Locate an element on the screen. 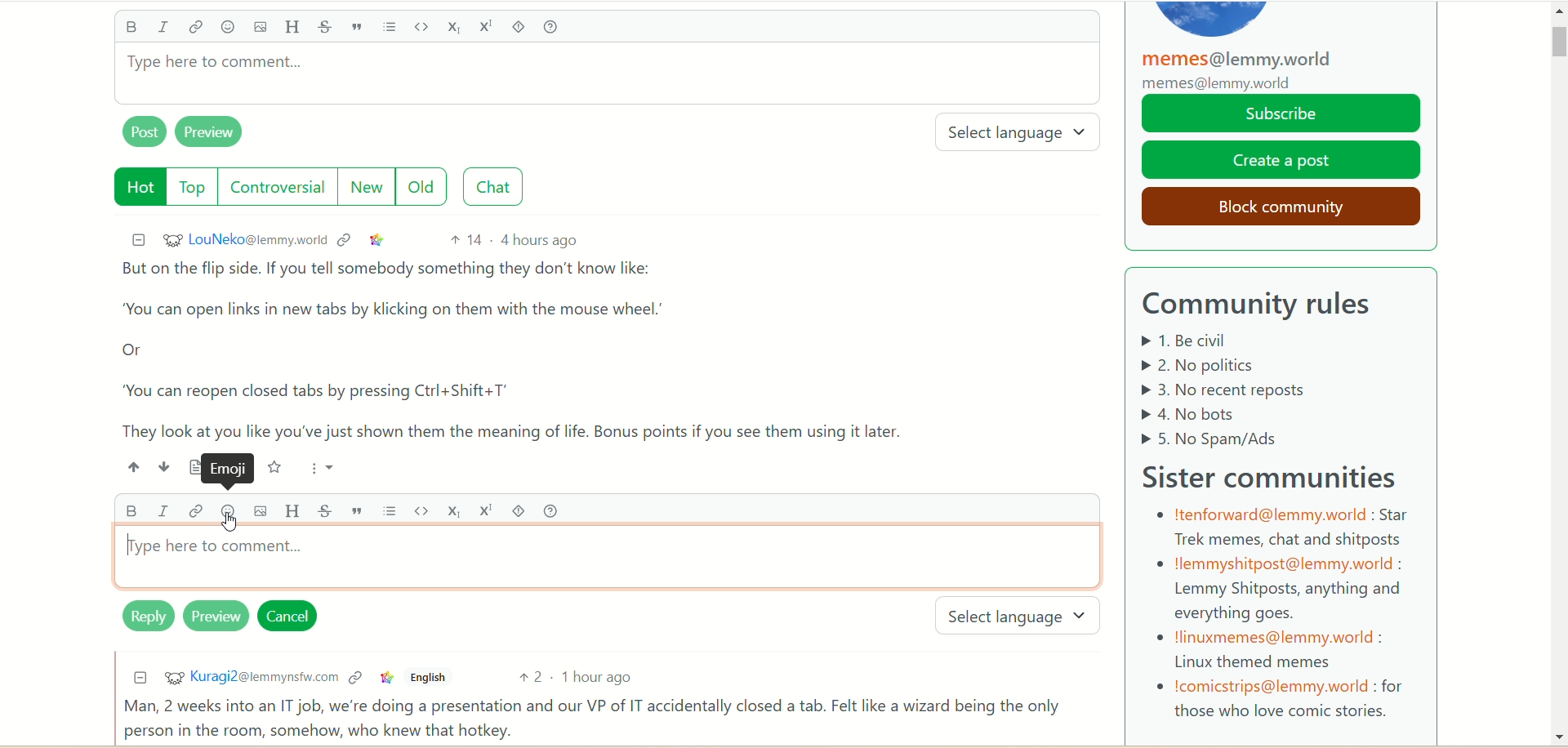  emoji is located at coordinates (232, 470).